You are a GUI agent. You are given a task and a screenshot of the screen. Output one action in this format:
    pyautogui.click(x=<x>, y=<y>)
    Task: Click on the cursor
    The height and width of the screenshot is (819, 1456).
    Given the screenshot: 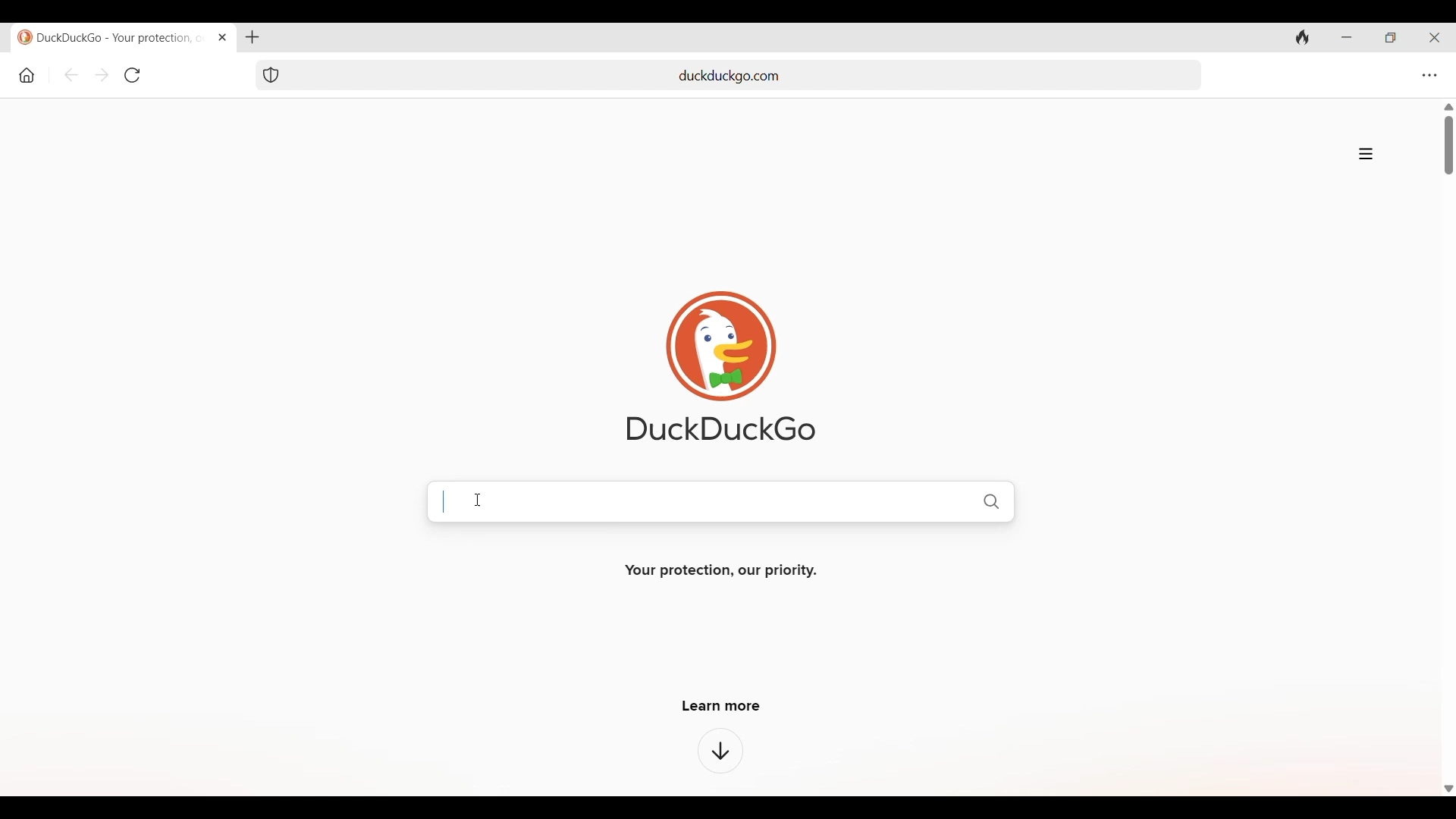 What is the action you would take?
    pyautogui.click(x=475, y=499)
    